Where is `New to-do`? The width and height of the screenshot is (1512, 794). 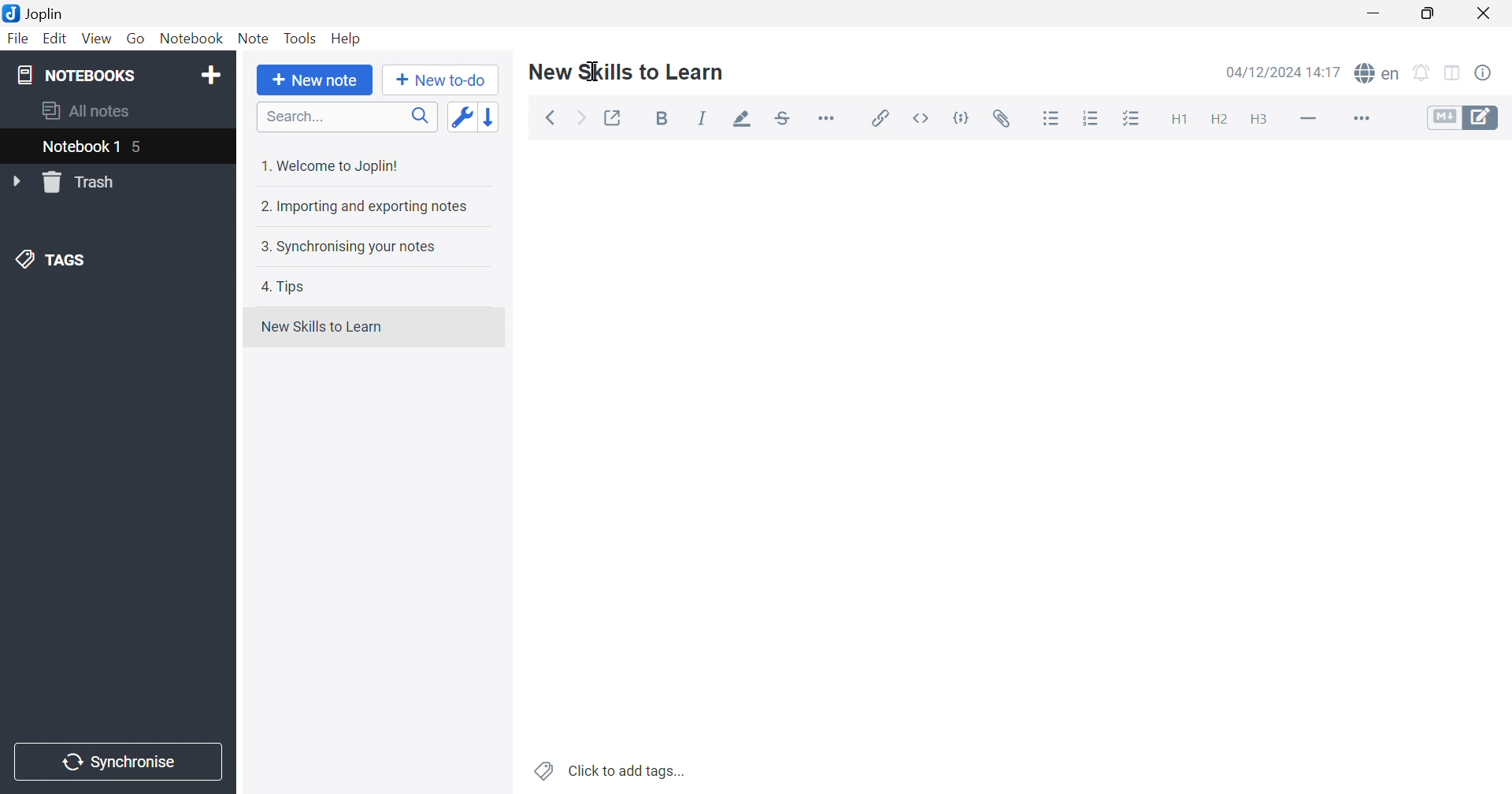
New to-do is located at coordinates (439, 80).